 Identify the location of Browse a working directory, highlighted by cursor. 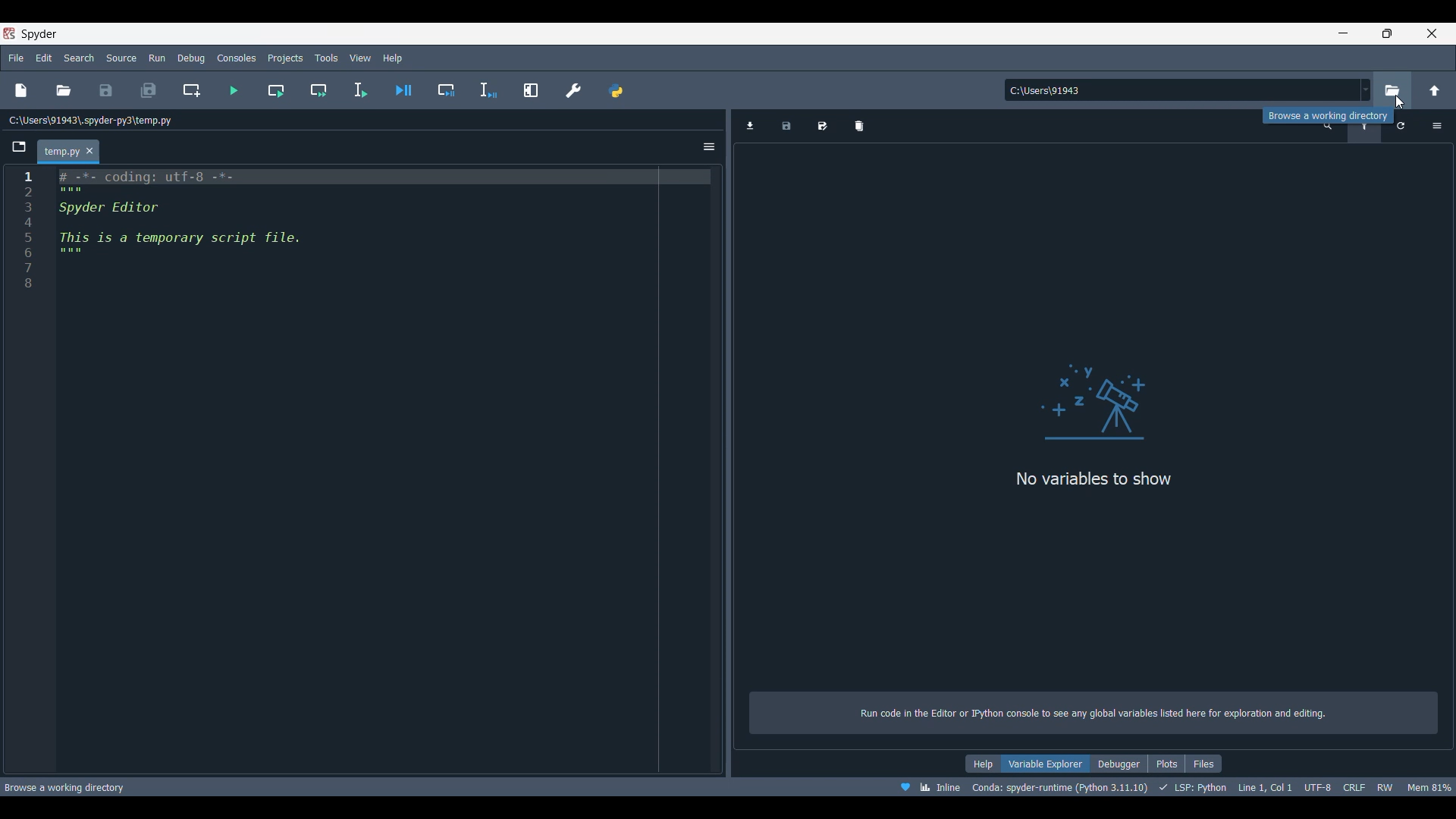
(1393, 89).